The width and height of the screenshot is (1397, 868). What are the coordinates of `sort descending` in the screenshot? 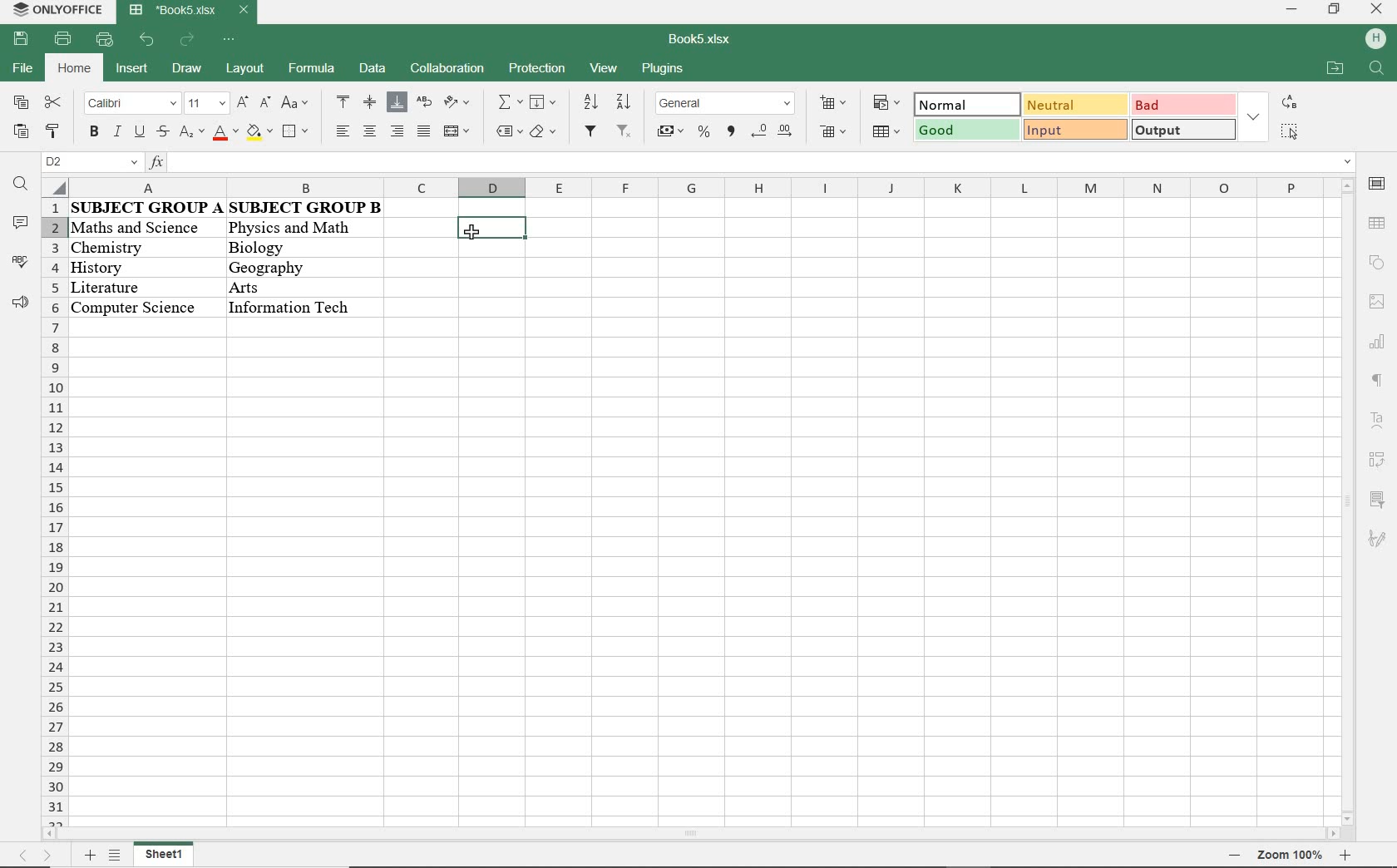 It's located at (624, 102).